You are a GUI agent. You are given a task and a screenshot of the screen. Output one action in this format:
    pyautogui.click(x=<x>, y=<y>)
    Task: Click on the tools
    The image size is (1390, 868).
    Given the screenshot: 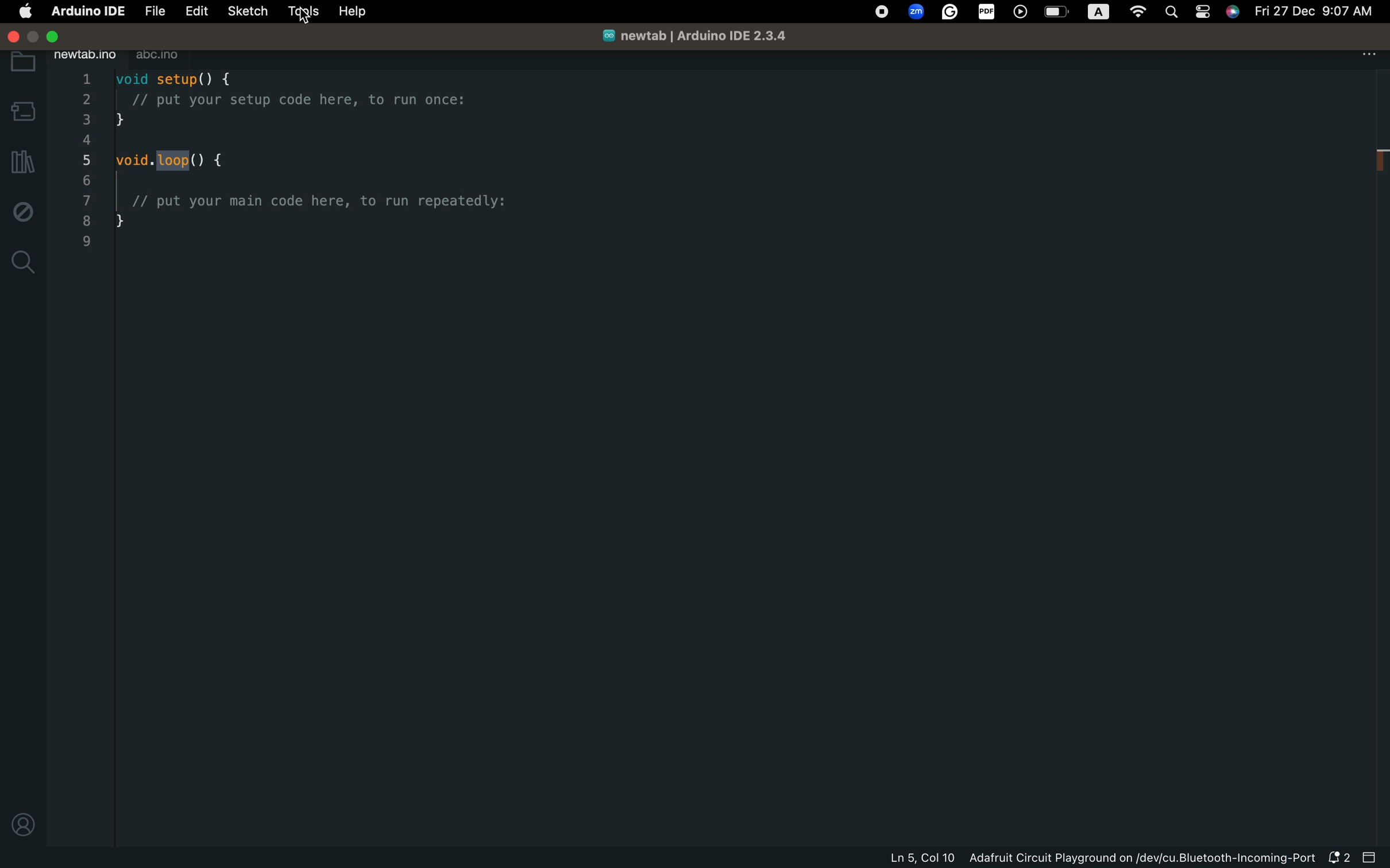 What is the action you would take?
    pyautogui.click(x=302, y=11)
    